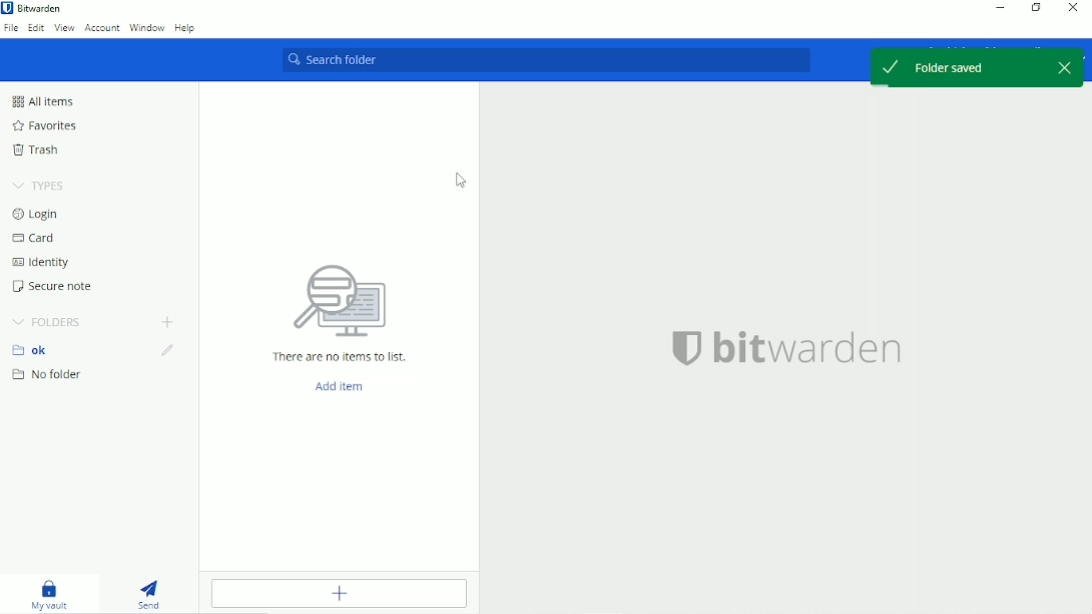 The height and width of the screenshot is (614, 1092). Describe the element at coordinates (155, 594) in the screenshot. I see `Send` at that location.